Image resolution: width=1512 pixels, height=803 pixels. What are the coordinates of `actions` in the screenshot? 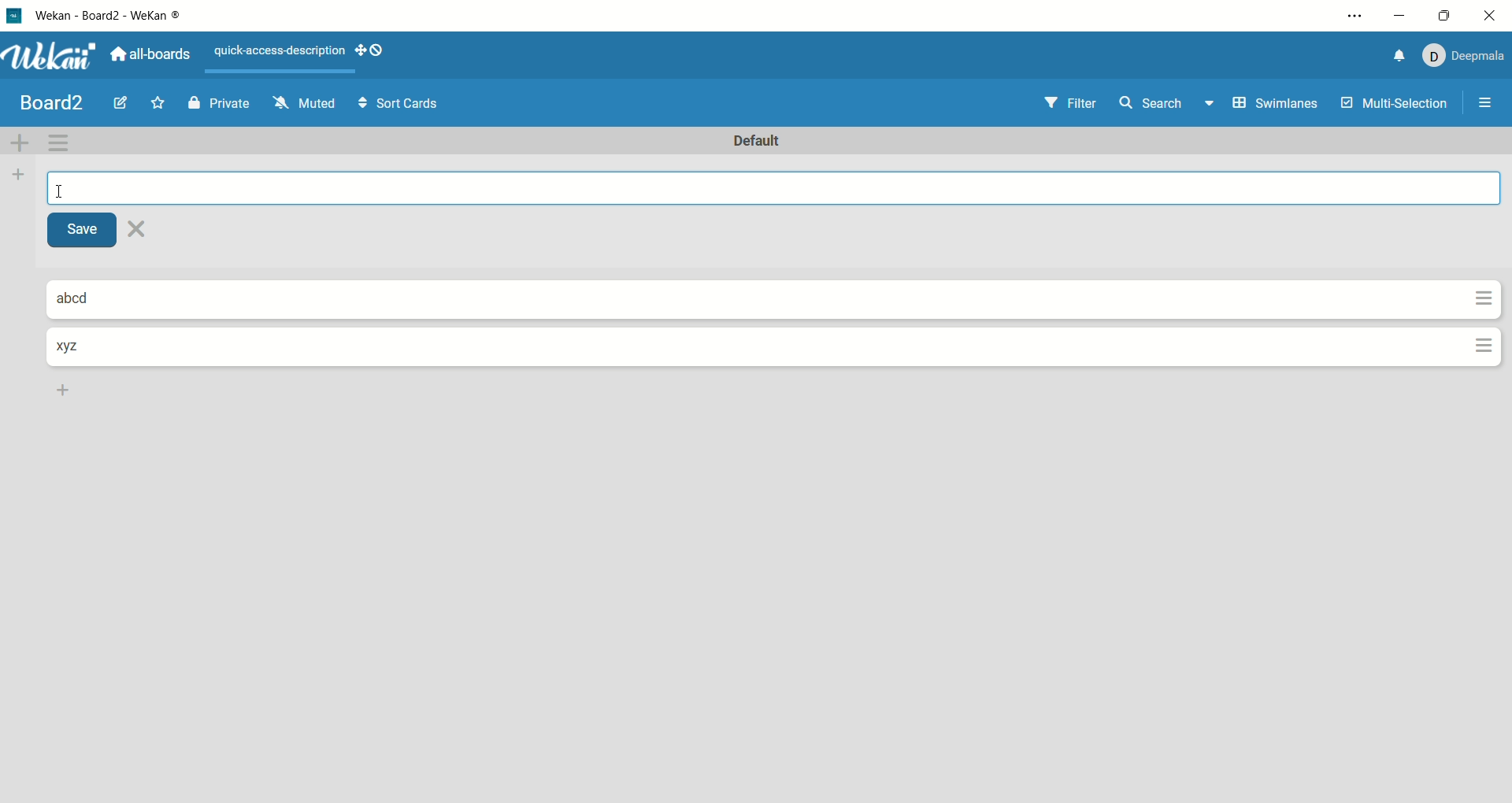 It's located at (1479, 326).